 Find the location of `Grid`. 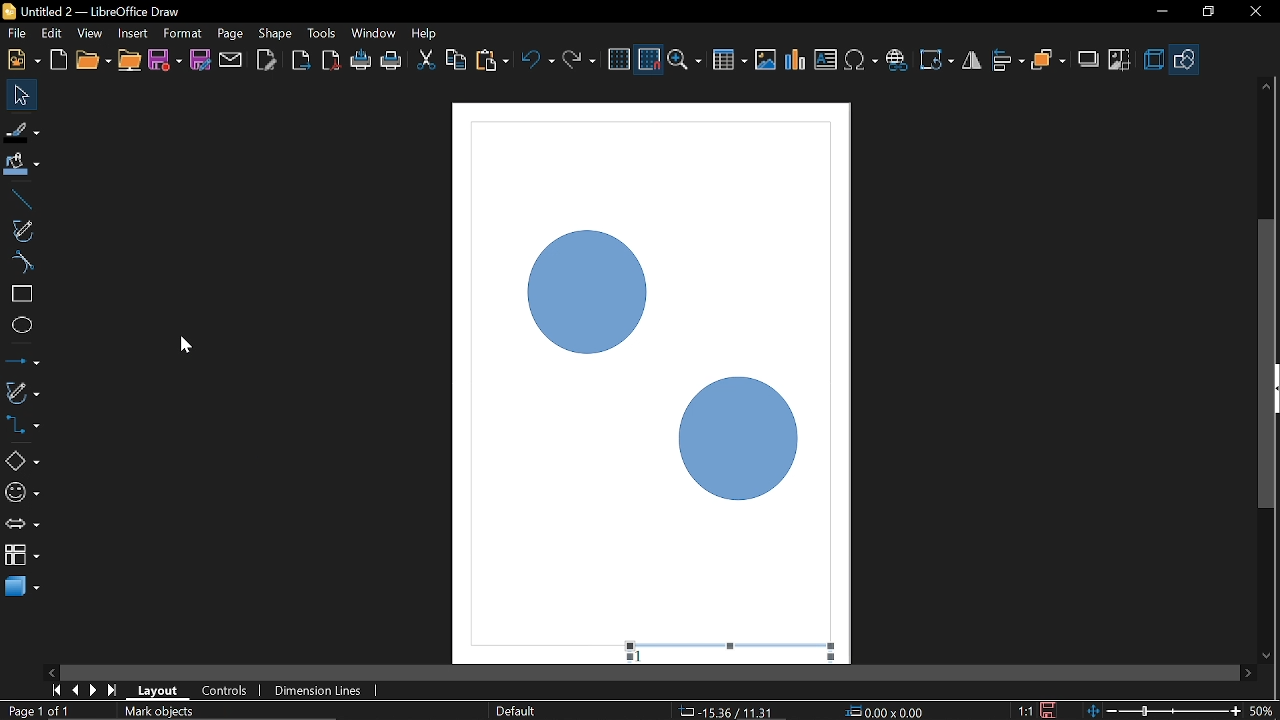

Grid is located at coordinates (619, 60).